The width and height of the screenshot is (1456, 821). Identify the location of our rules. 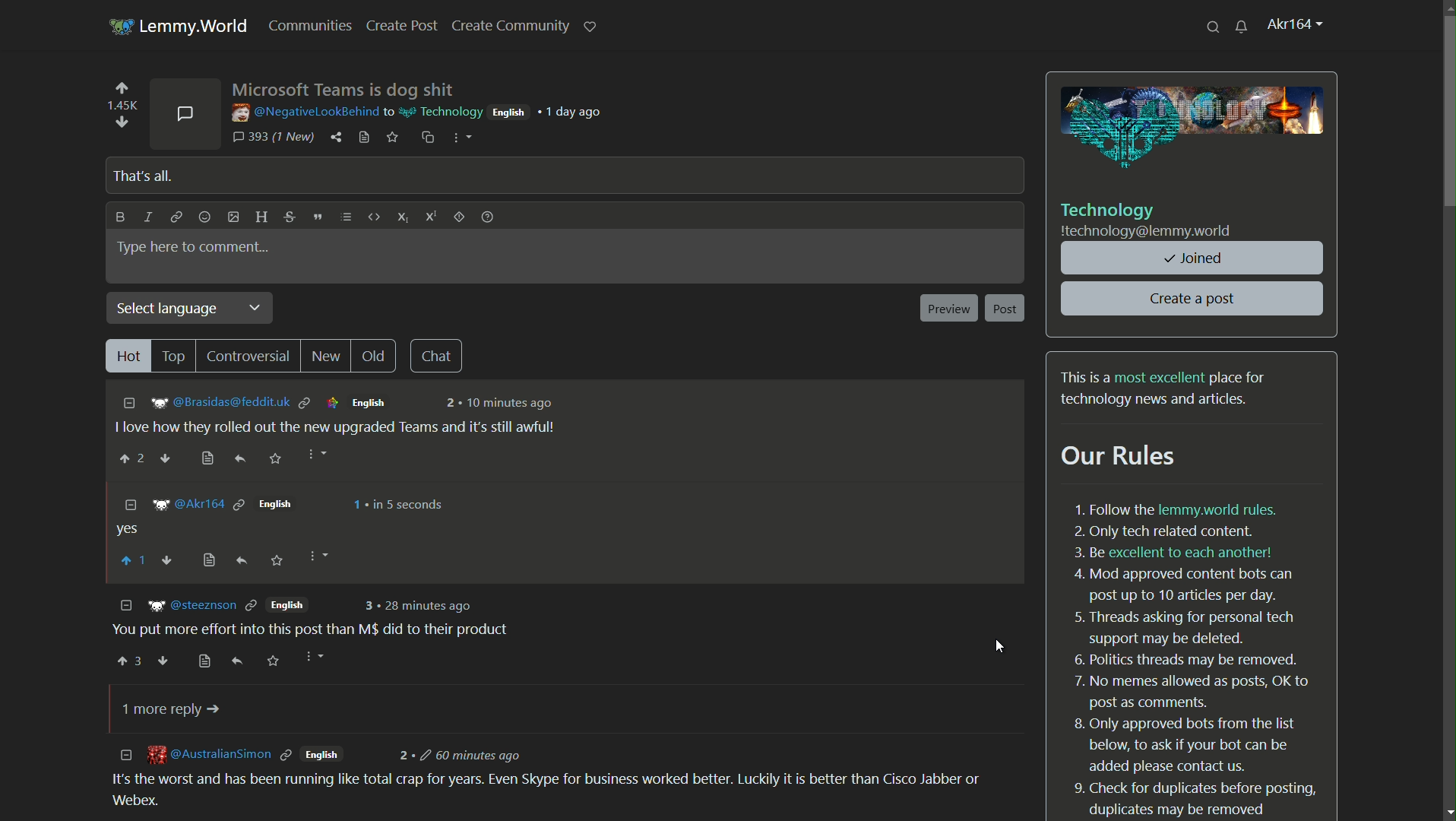
(1120, 457).